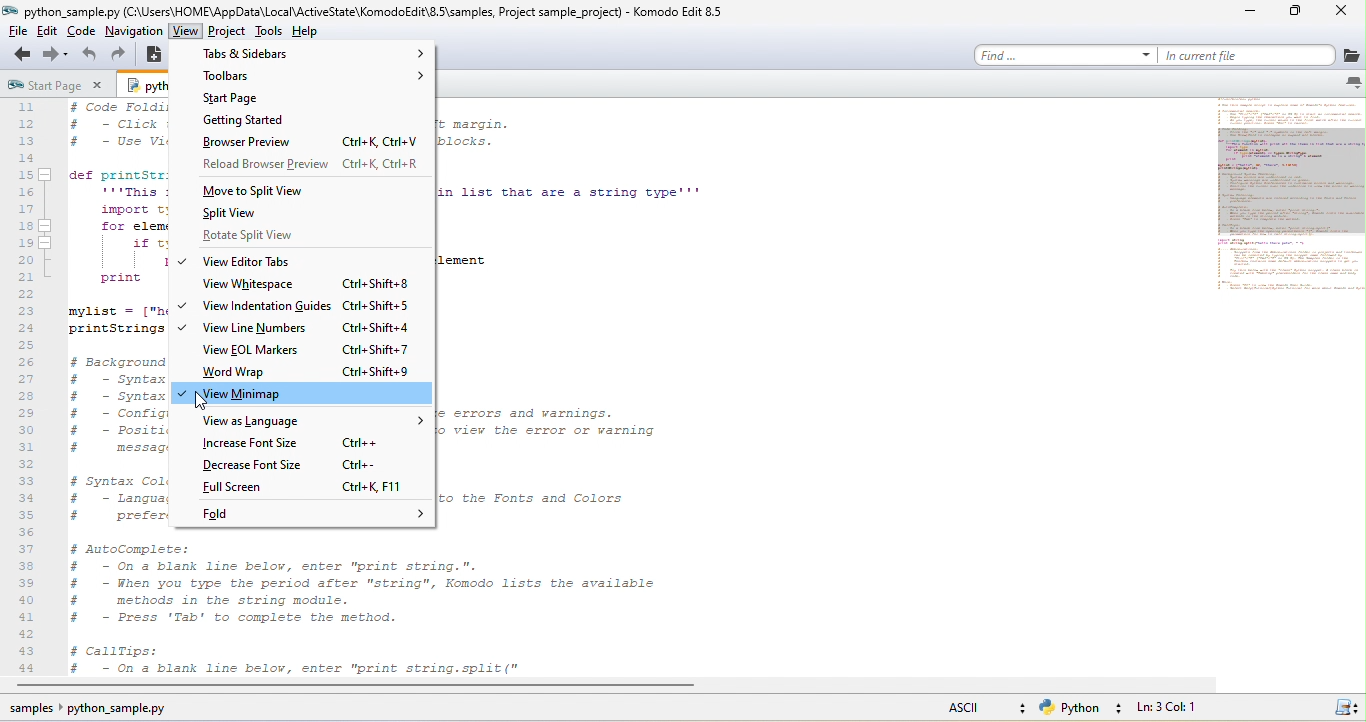  What do you see at coordinates (312, 371) in the screenshot?
I see `word wrap` at bounding box center [312, 371].